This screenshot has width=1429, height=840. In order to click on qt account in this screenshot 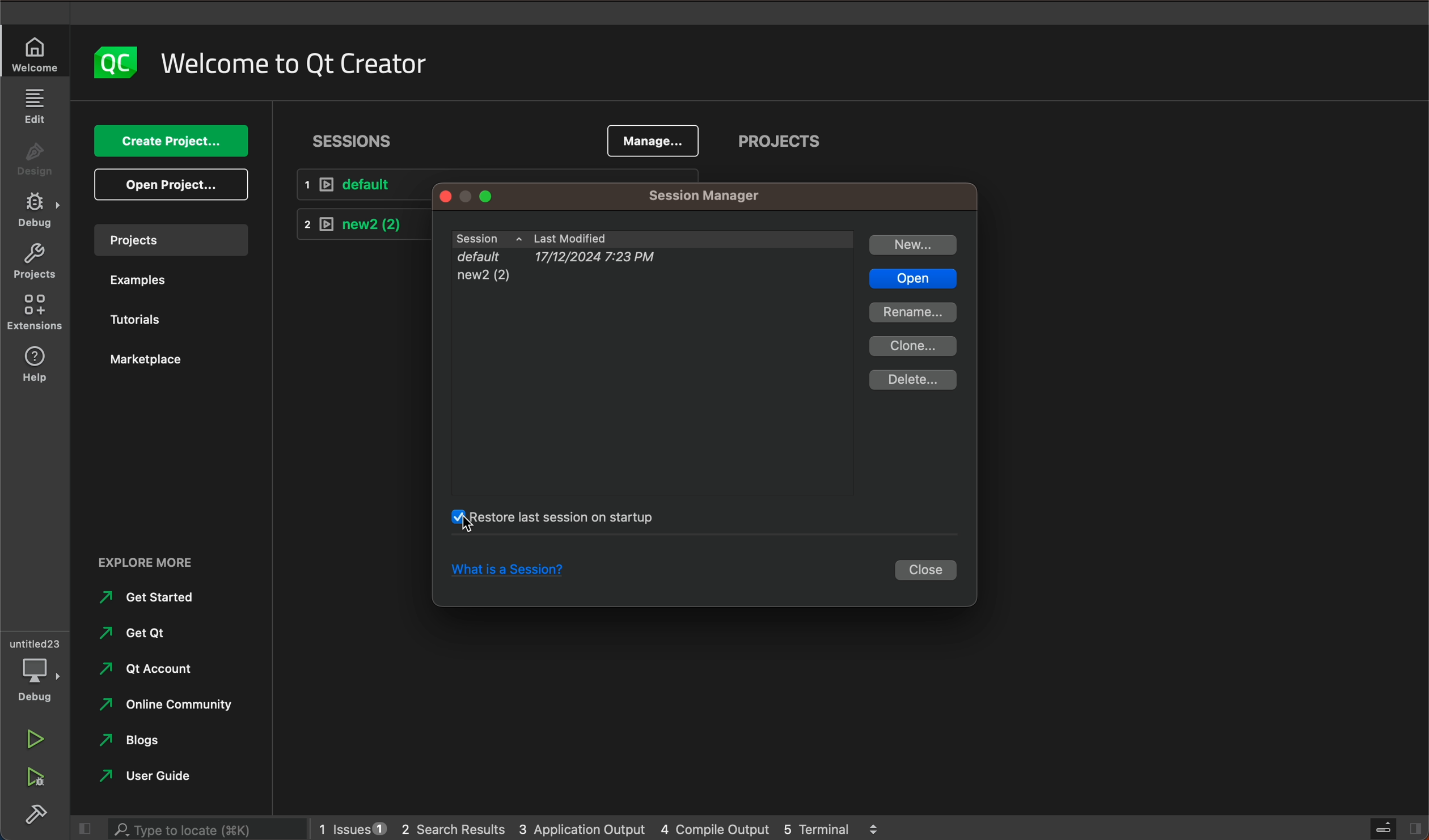, I will do `click(148, 669)`.